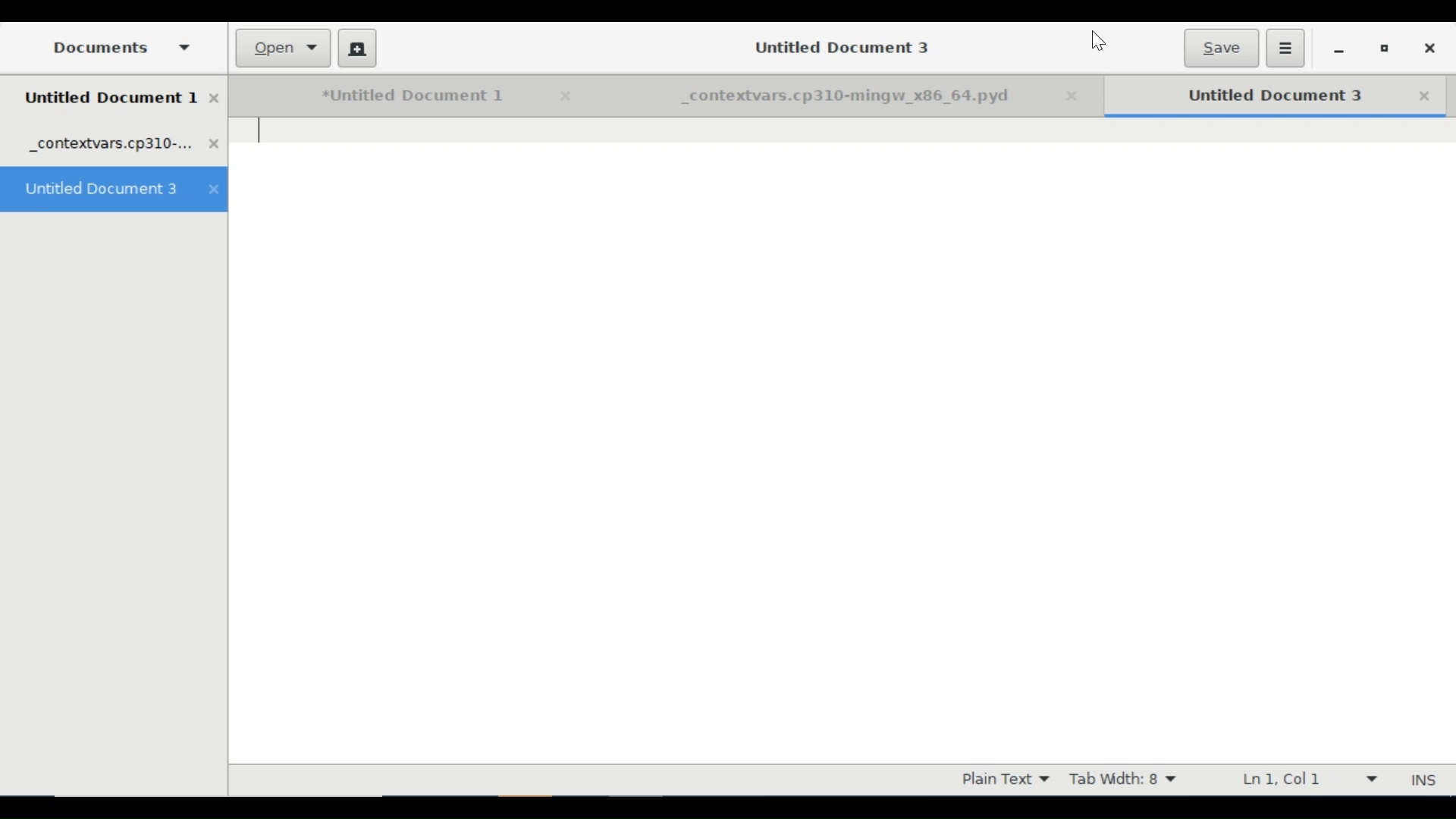  What do you see at coordinates (1128, 780) in the screenshot?
I see `Tab Width` at bounding box center [1128, 780].